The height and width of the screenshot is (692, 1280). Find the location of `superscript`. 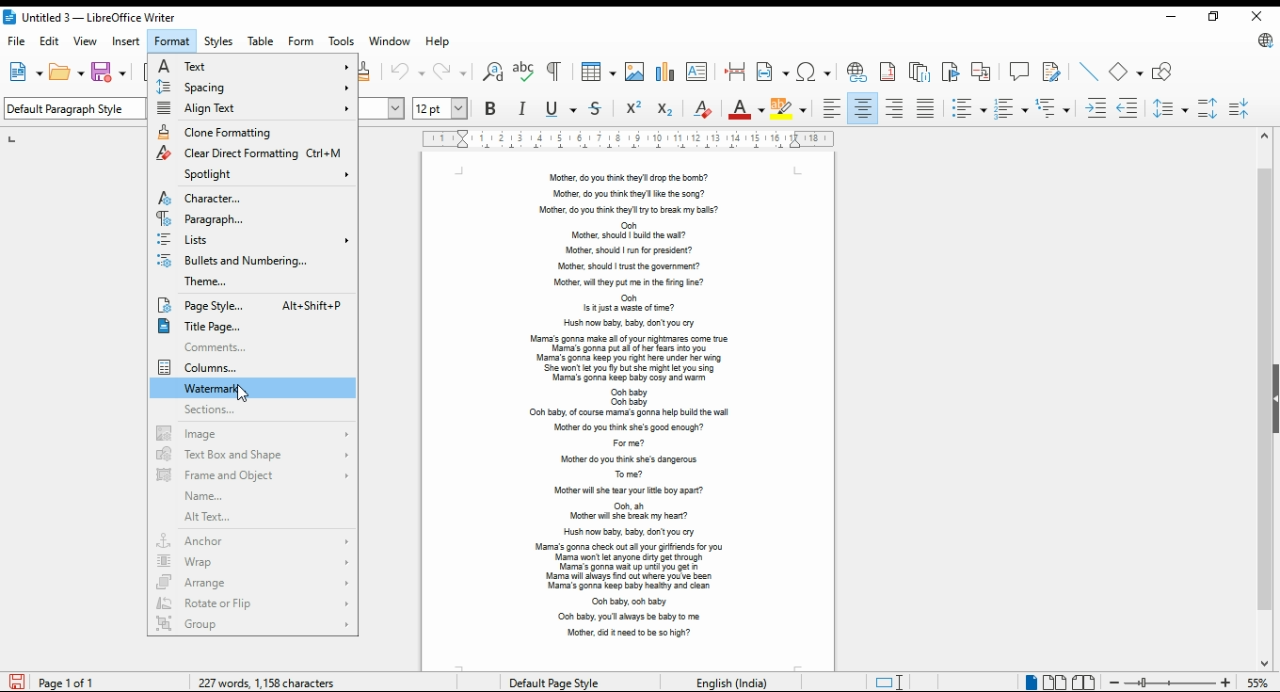

superscript is located at coordinates (633, 108).